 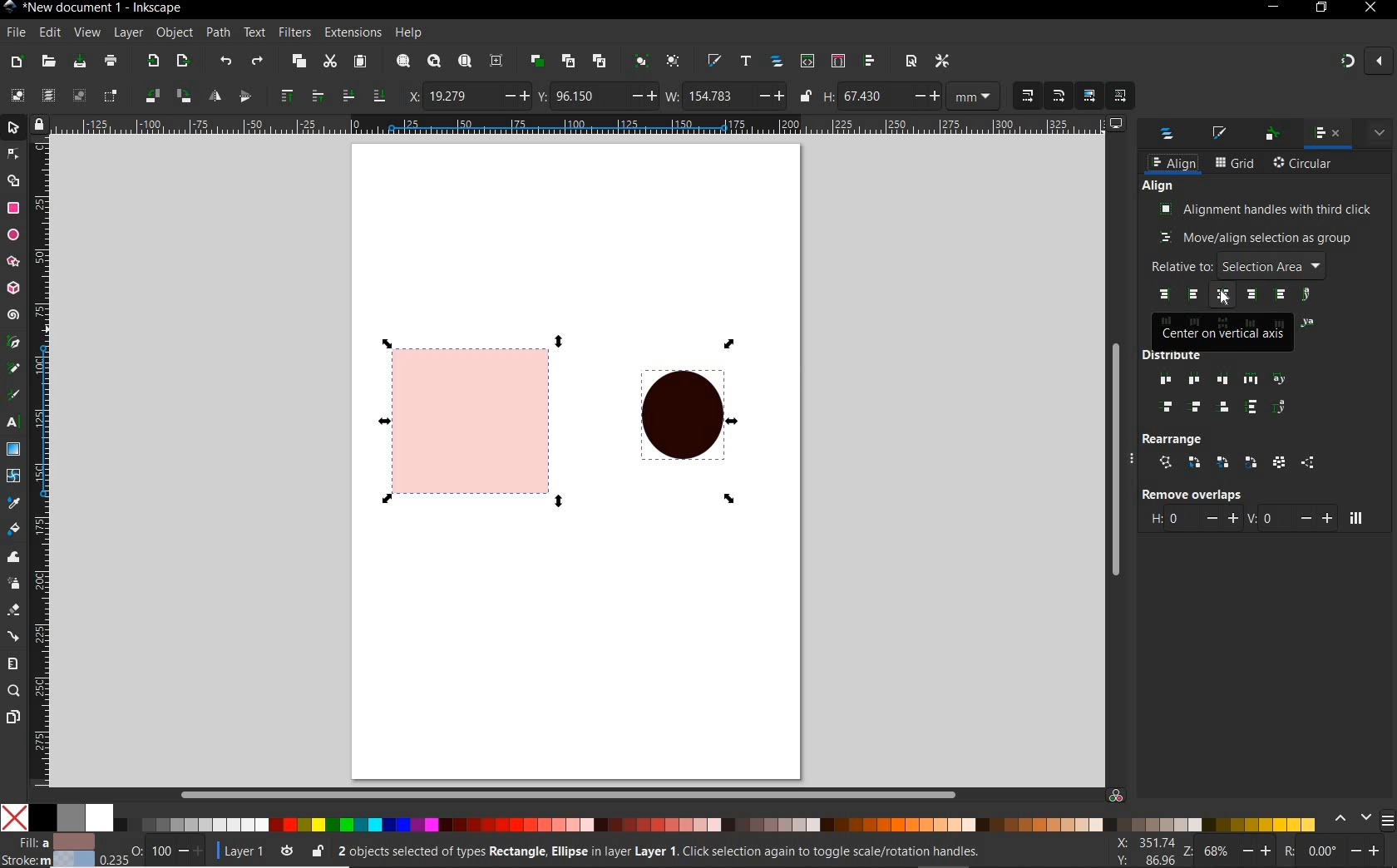 I want to click on ruler, so click(x=41, y=461).